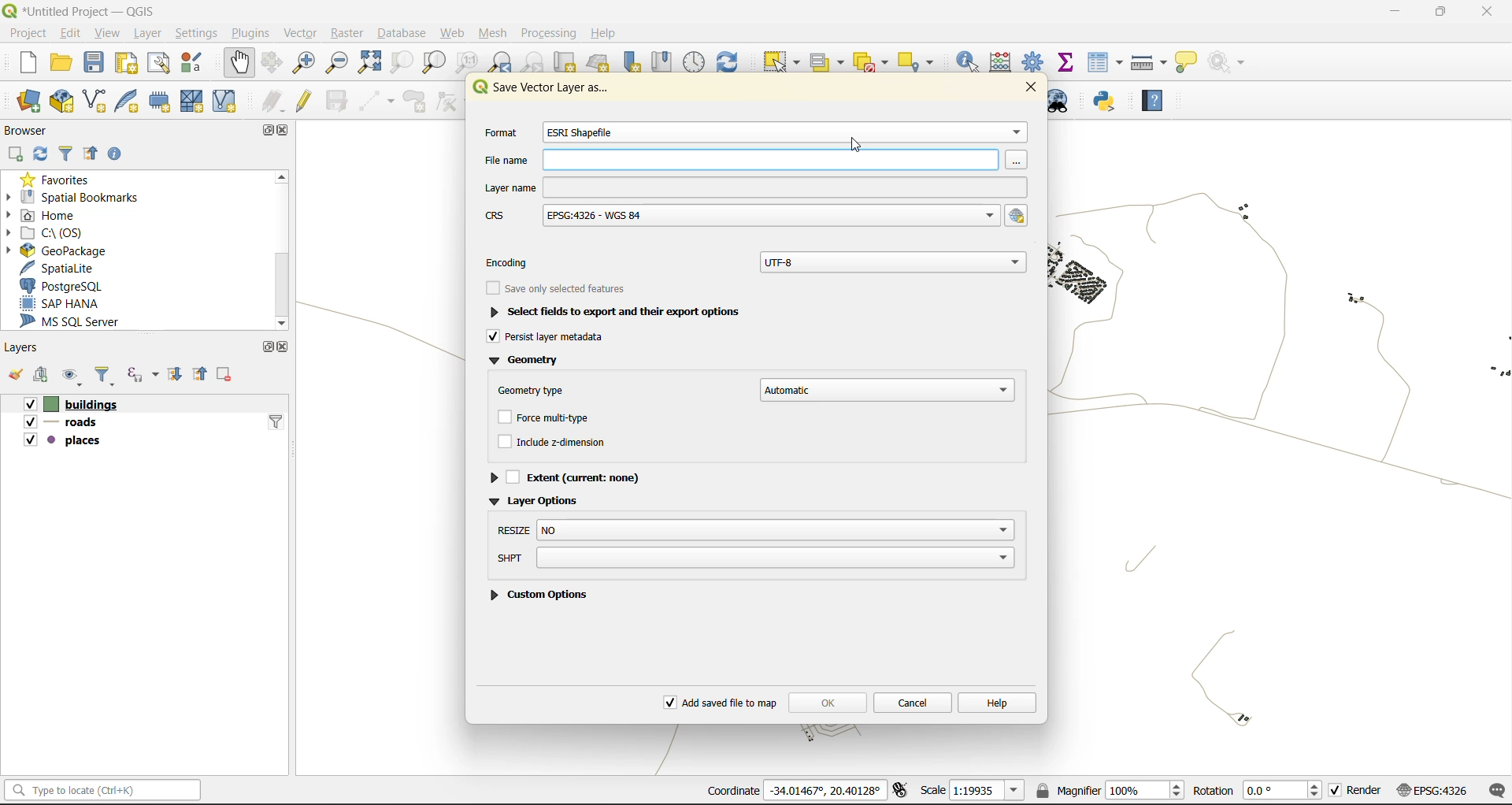  I want to click on custom options, so click(545, 596).